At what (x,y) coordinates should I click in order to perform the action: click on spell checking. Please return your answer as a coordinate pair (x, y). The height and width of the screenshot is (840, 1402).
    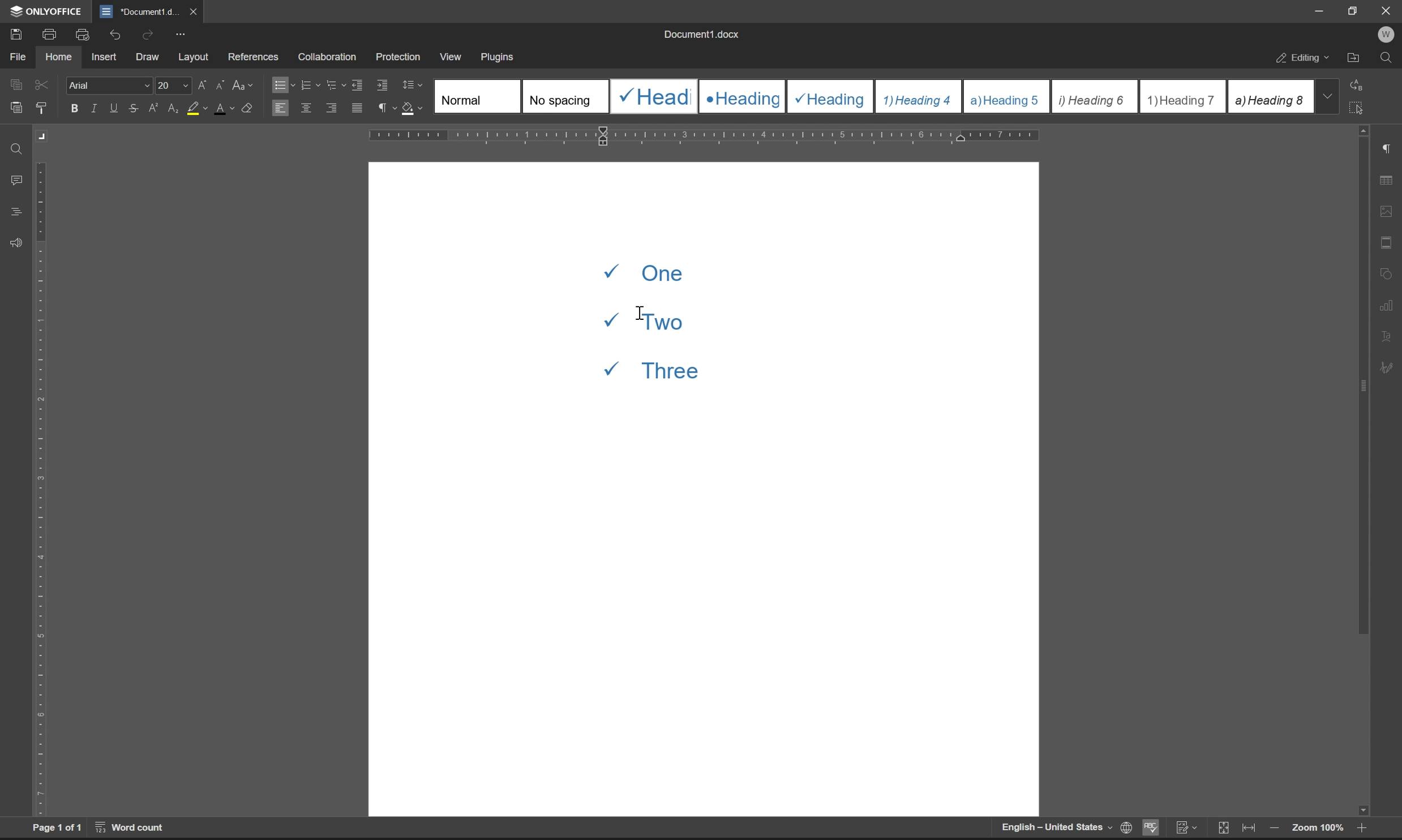
    Looking at the image, I should click on (1150, 827).